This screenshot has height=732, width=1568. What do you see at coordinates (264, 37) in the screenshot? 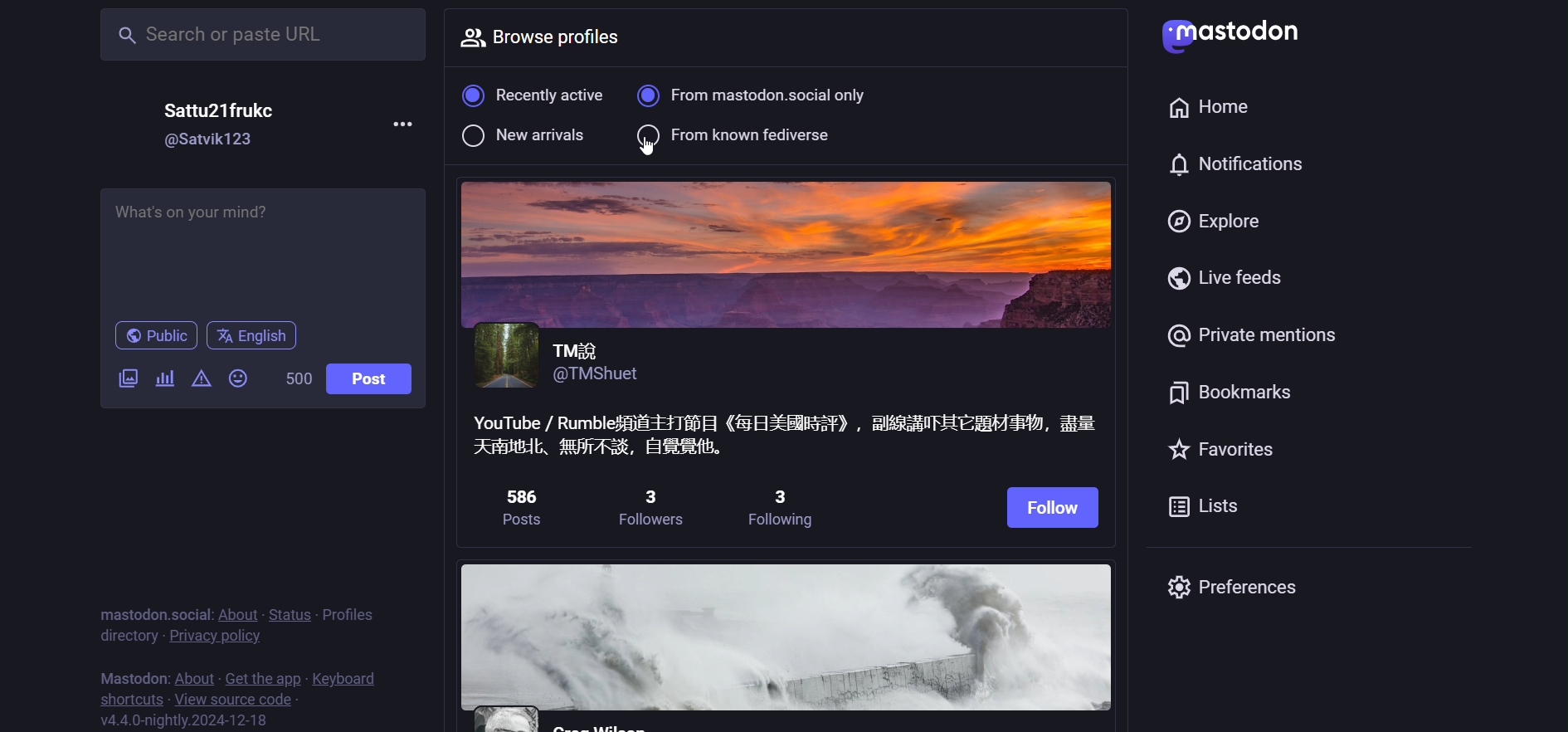
I see `Search or paste URL` at bounding box center [264, 37].